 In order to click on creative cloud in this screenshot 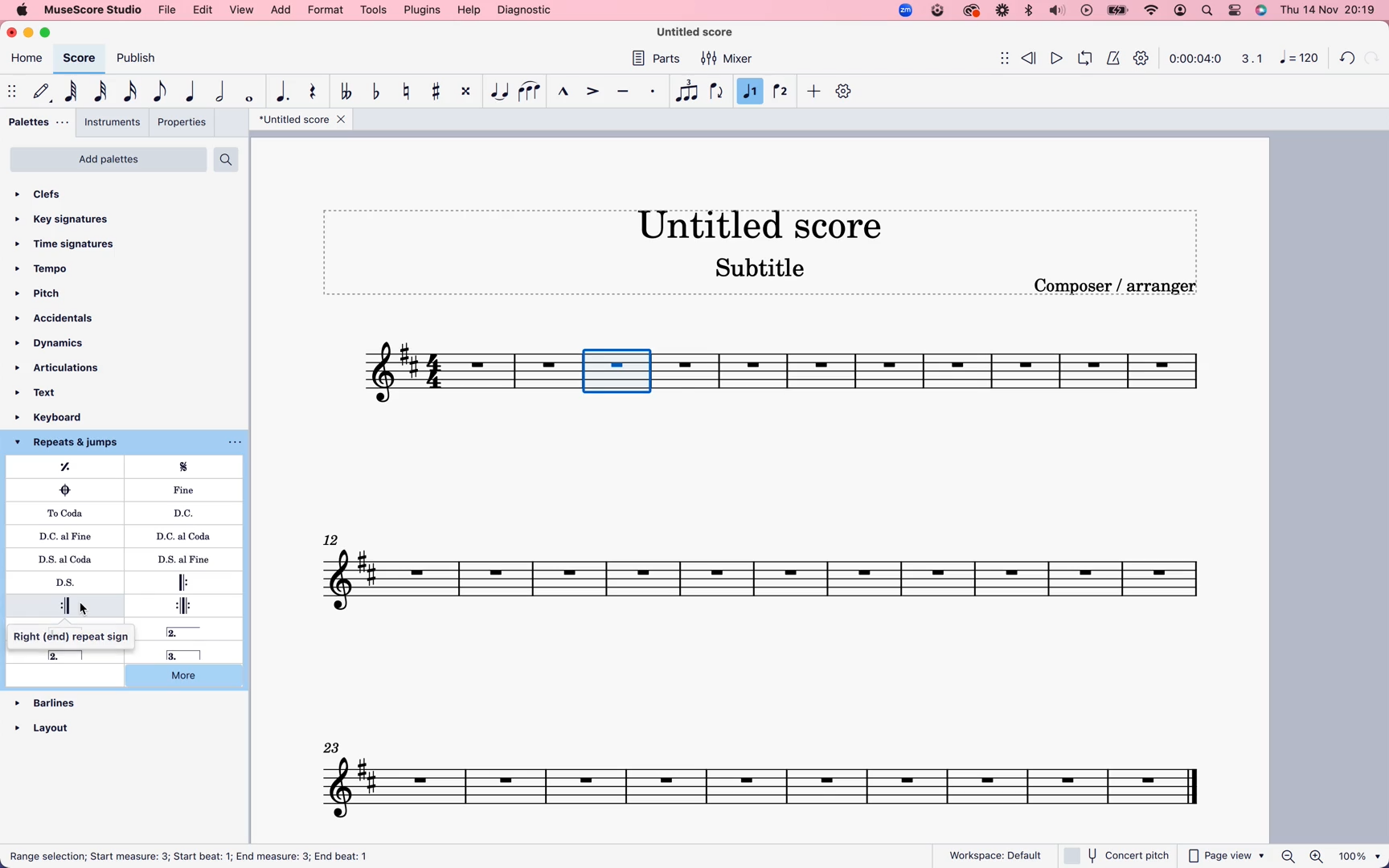, I will do `click(972, 12)`.